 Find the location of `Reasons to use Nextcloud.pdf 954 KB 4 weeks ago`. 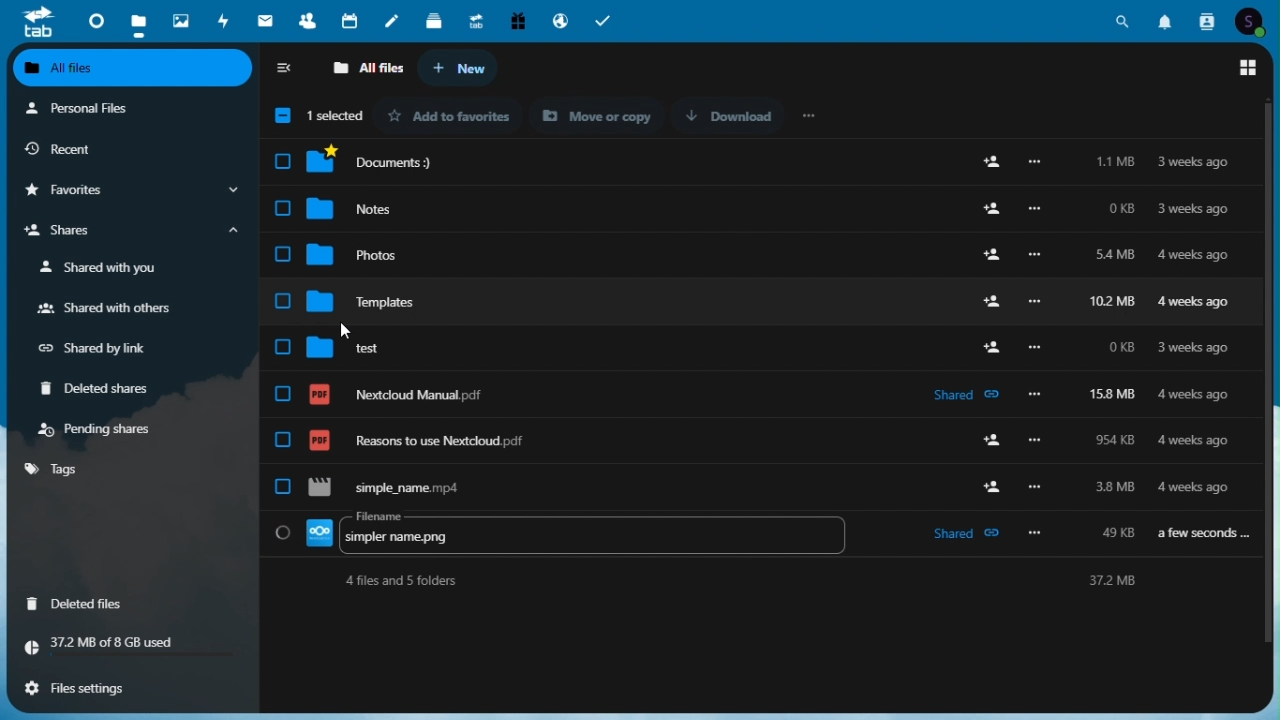

Reasons to use Nextcloud.pdf 954 KB 4 weeks ago is located at coordinates (761, 432).